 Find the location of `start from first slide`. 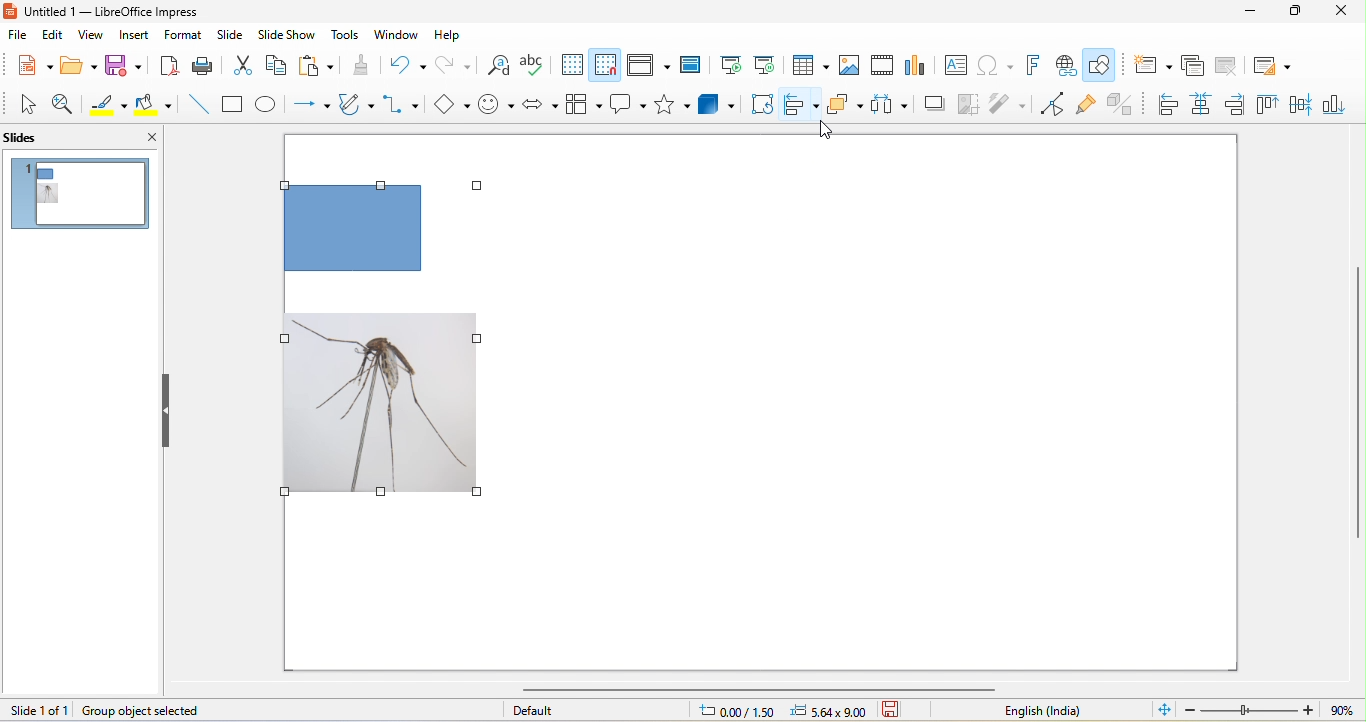

start from first slide is located at coordinates (731, 65).